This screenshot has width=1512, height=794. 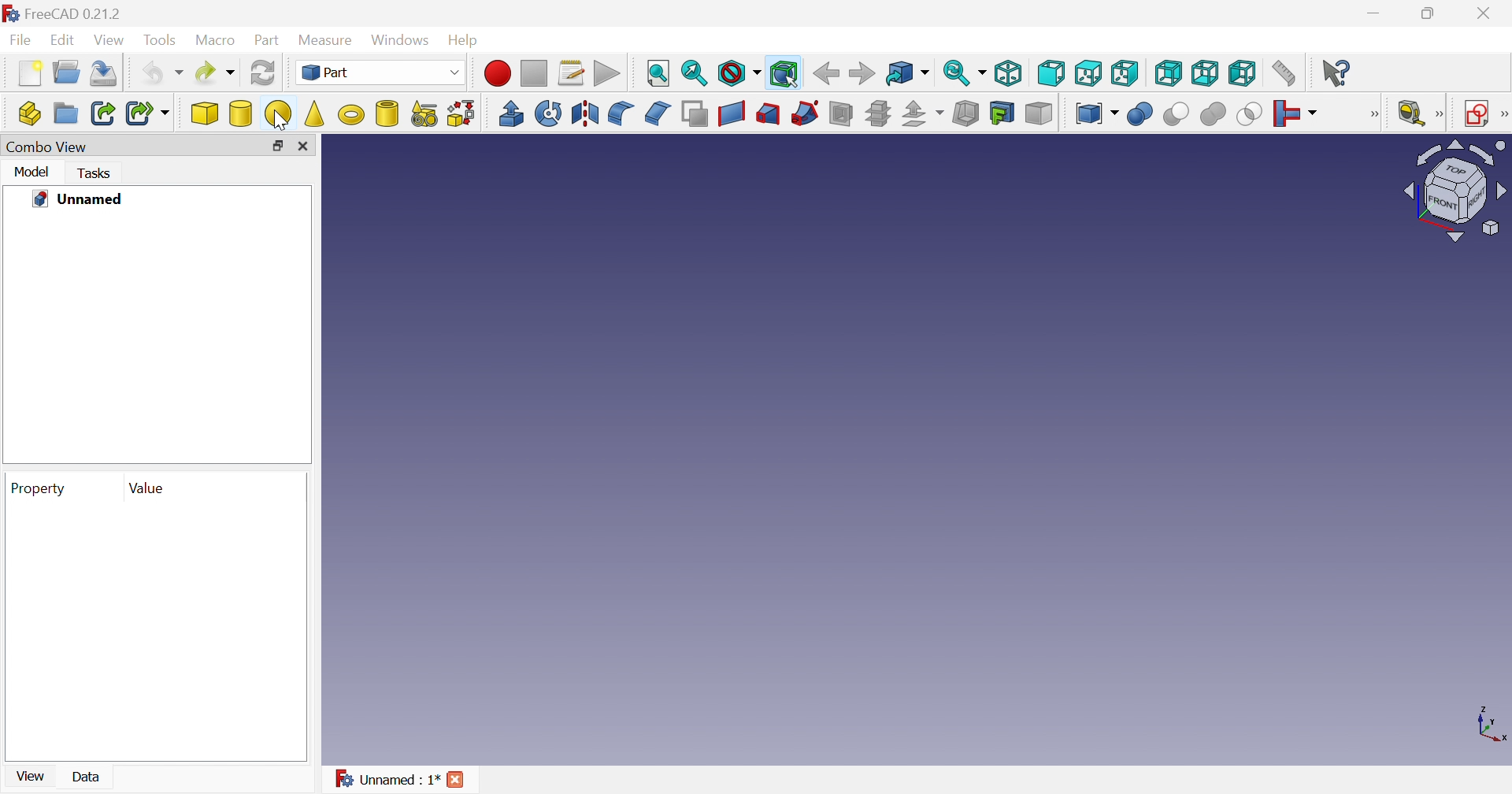 What do you see at coordinates (380, 71) in the screenshot?
I see `Part` at bounding box center [380, 71].